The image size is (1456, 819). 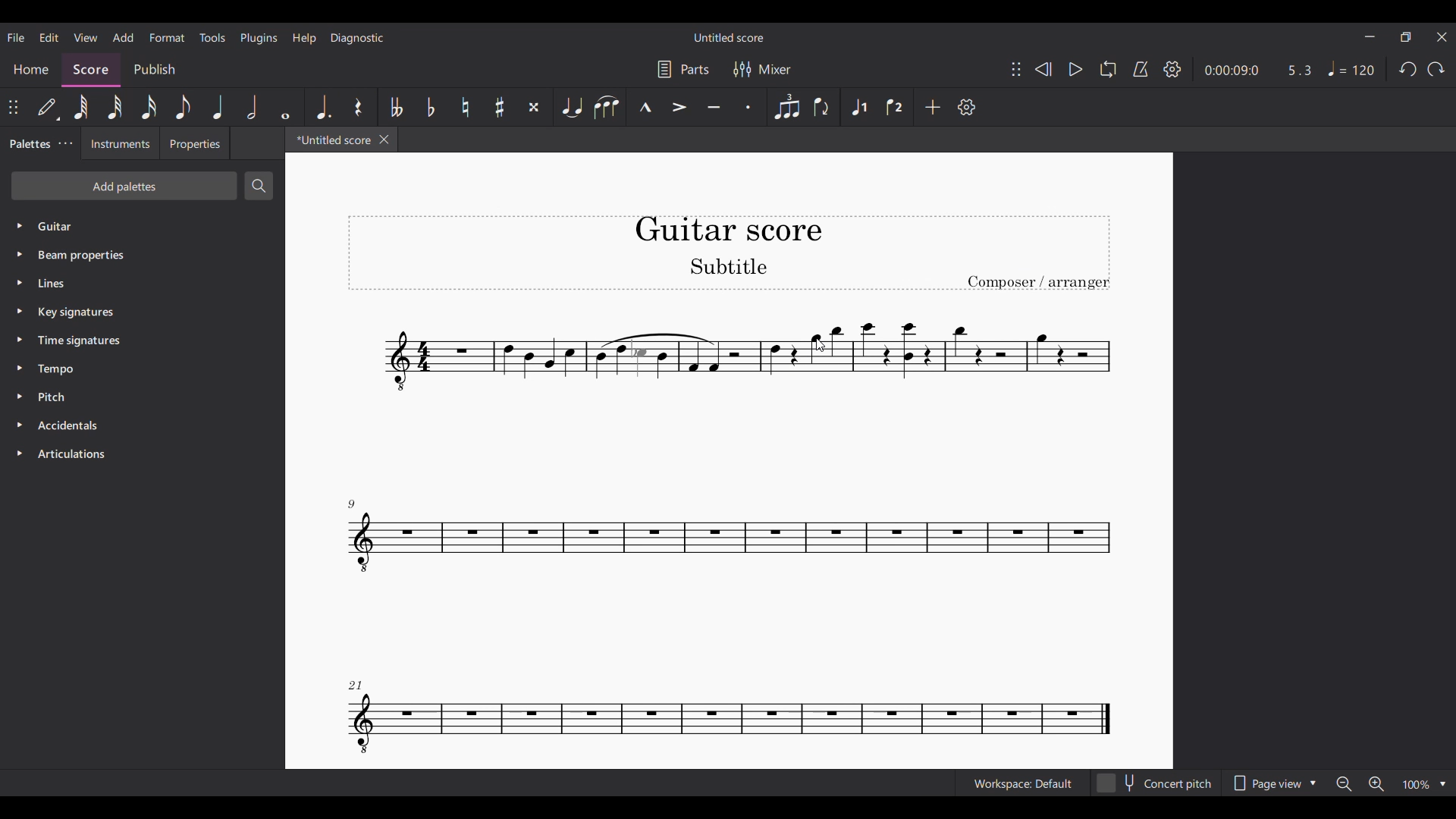 What do you see at coordinates (1350, 68) in the screenshot?
I see `Tempo` at bounding box center [1350, 68].